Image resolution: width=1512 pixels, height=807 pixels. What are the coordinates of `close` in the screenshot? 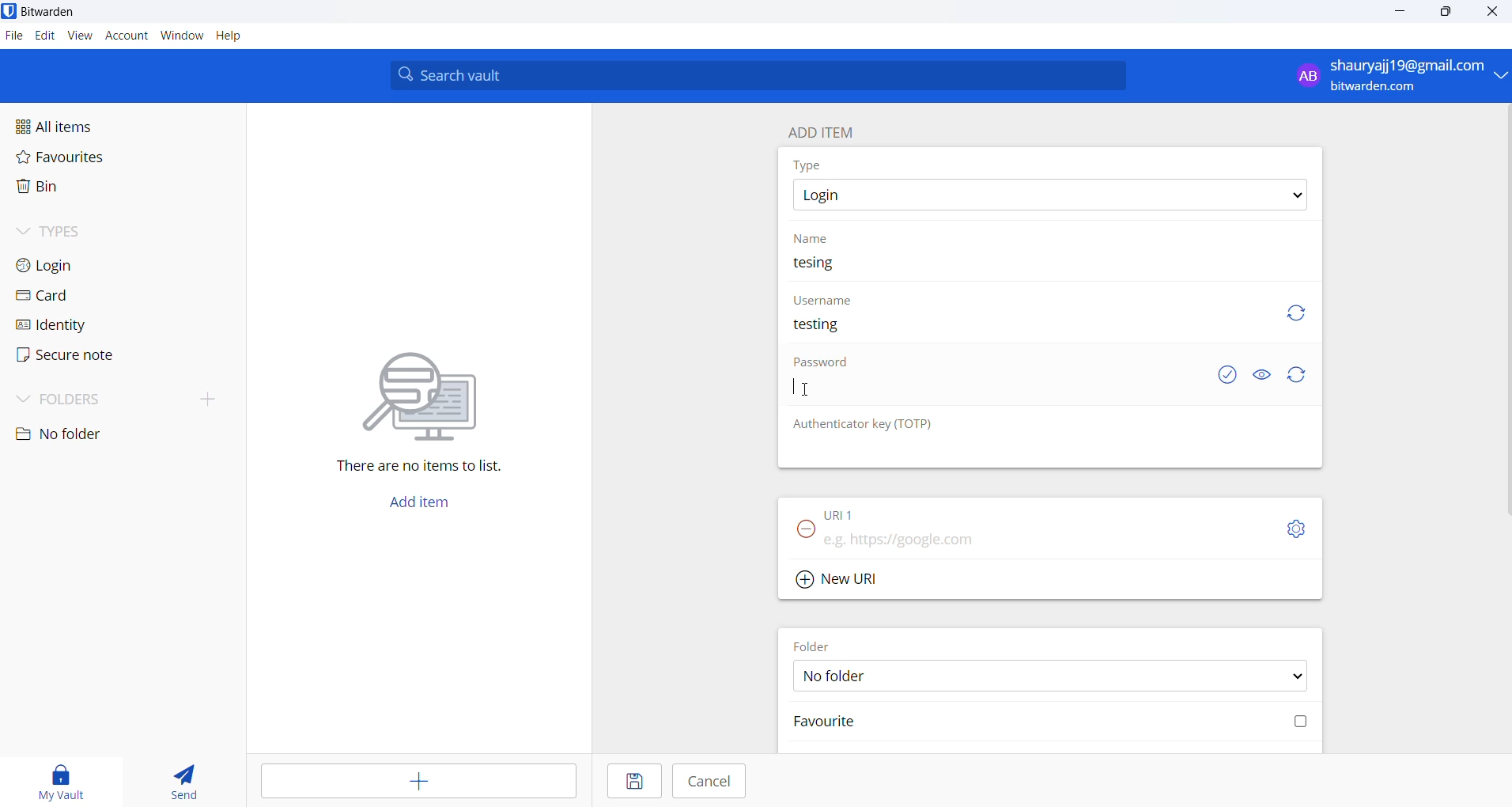 It's located at (1493, 13).